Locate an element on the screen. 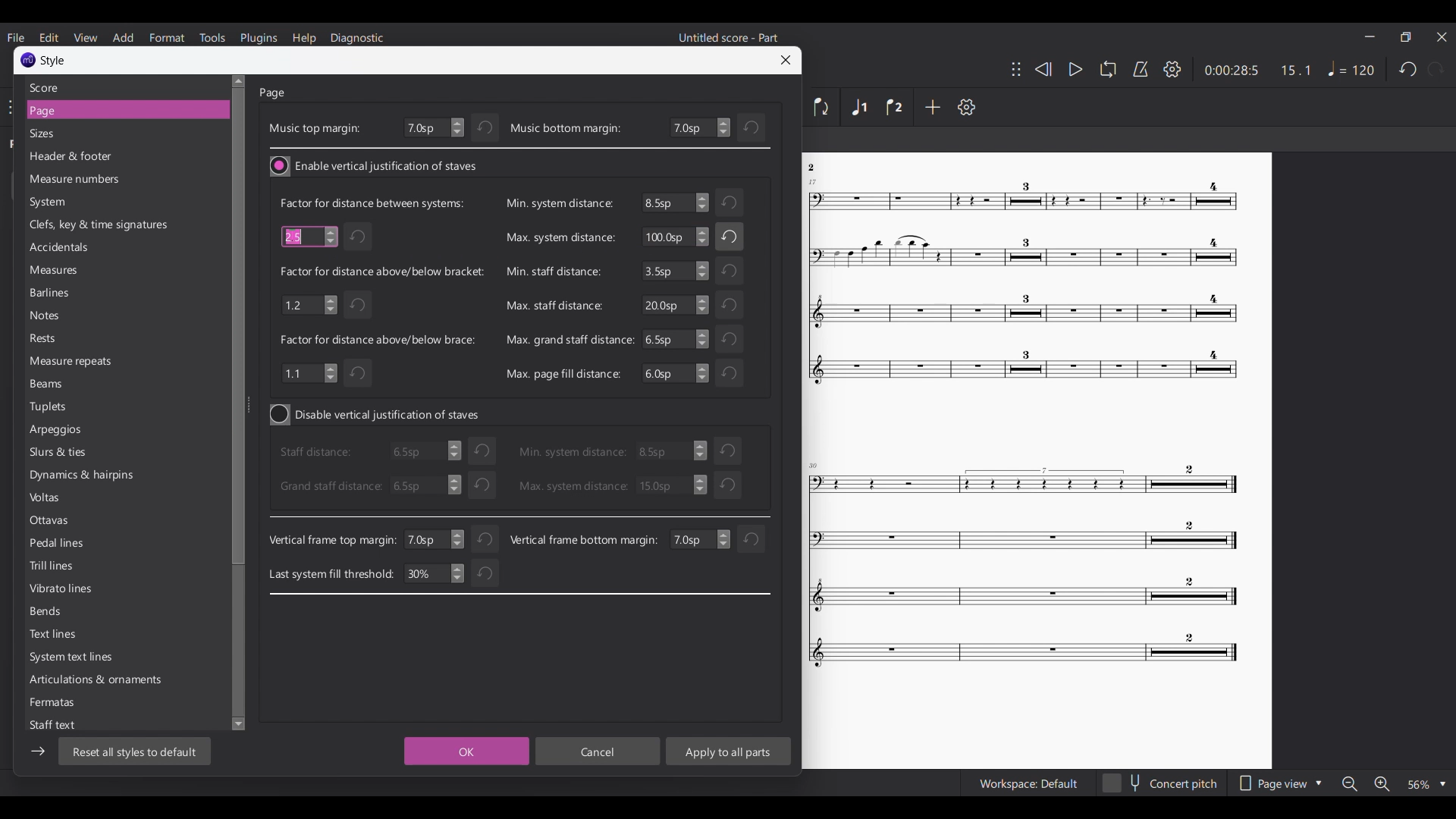 Image resolution: width=1456 pixels, height=819 pixels. Show/Hide sidebar is located at coordinates (38, 752).